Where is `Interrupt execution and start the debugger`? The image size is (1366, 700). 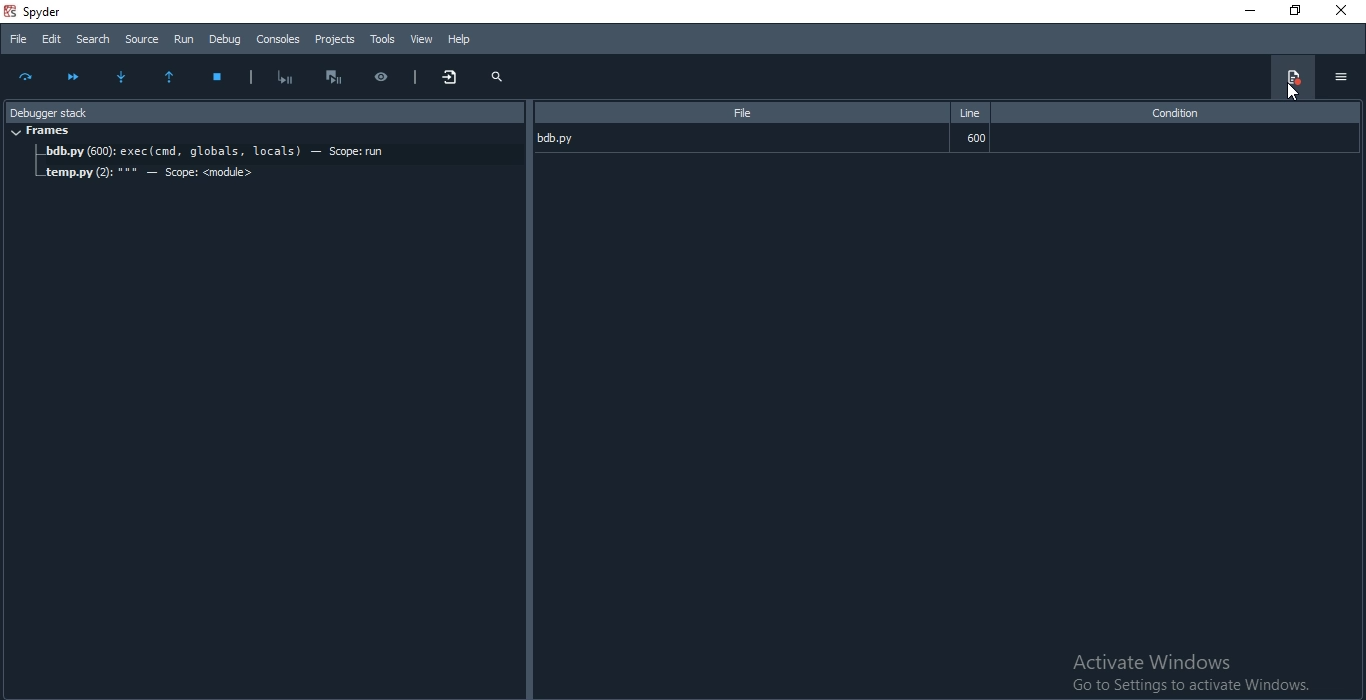 Interrupt execution and start the debugger is located at coordinates (340, 77).